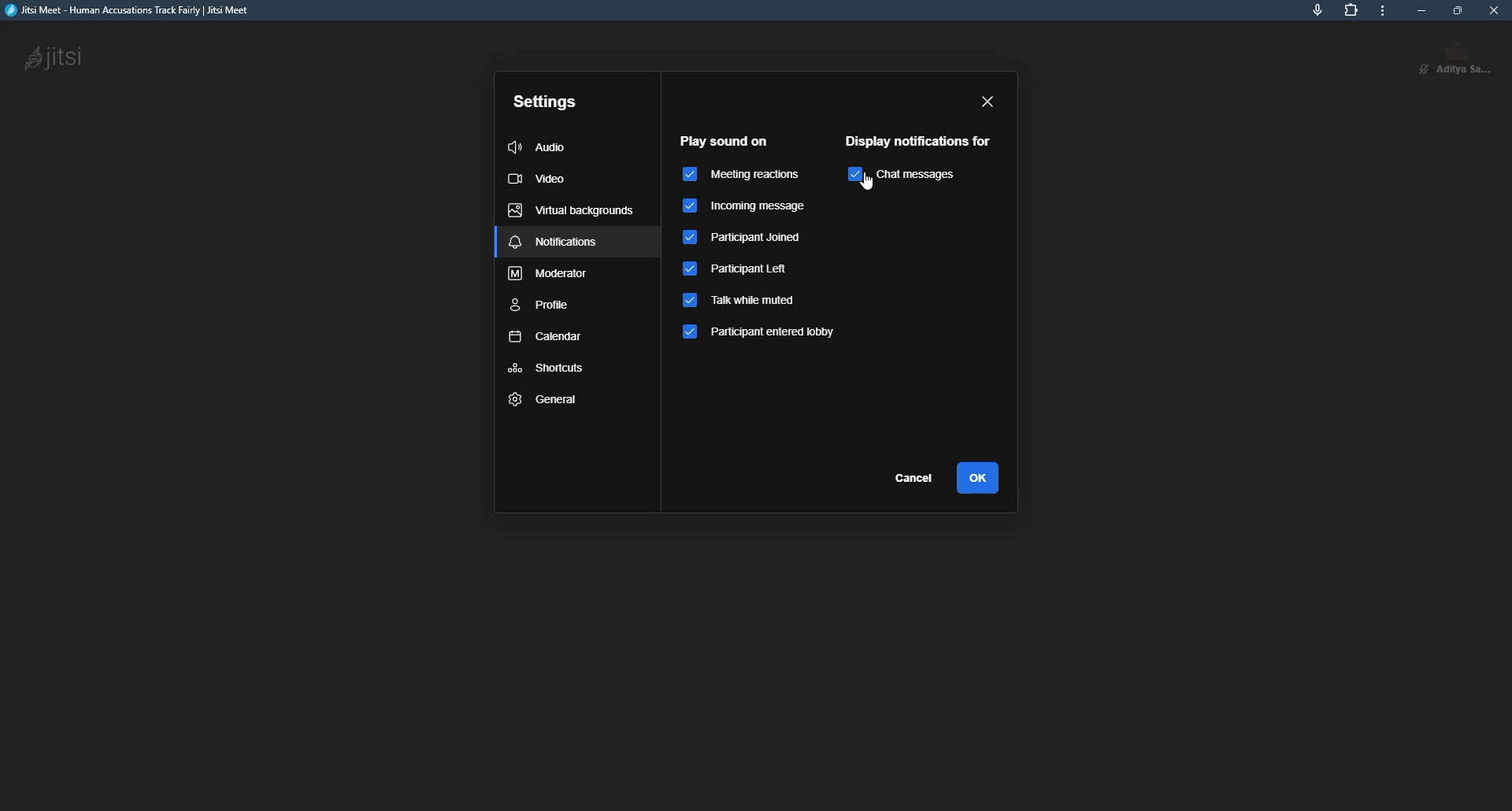 This screenshot has width=1512, height=811. What do you see at coordinates (548, 338) in the screenshot?
I see `calendar` at bounding box center [548, 338].